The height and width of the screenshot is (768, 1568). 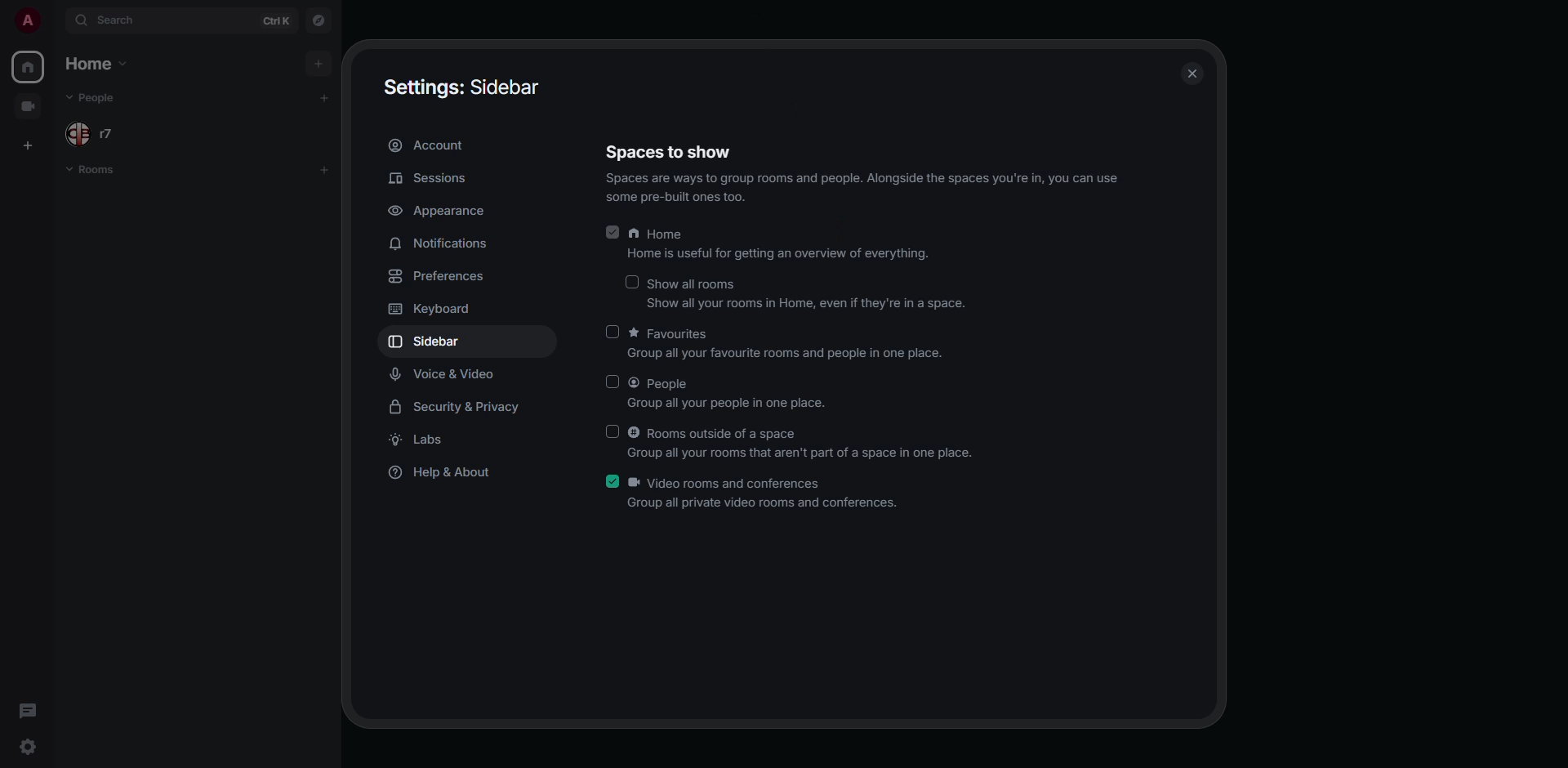 I want to click on add, so click(x=325, y=172).